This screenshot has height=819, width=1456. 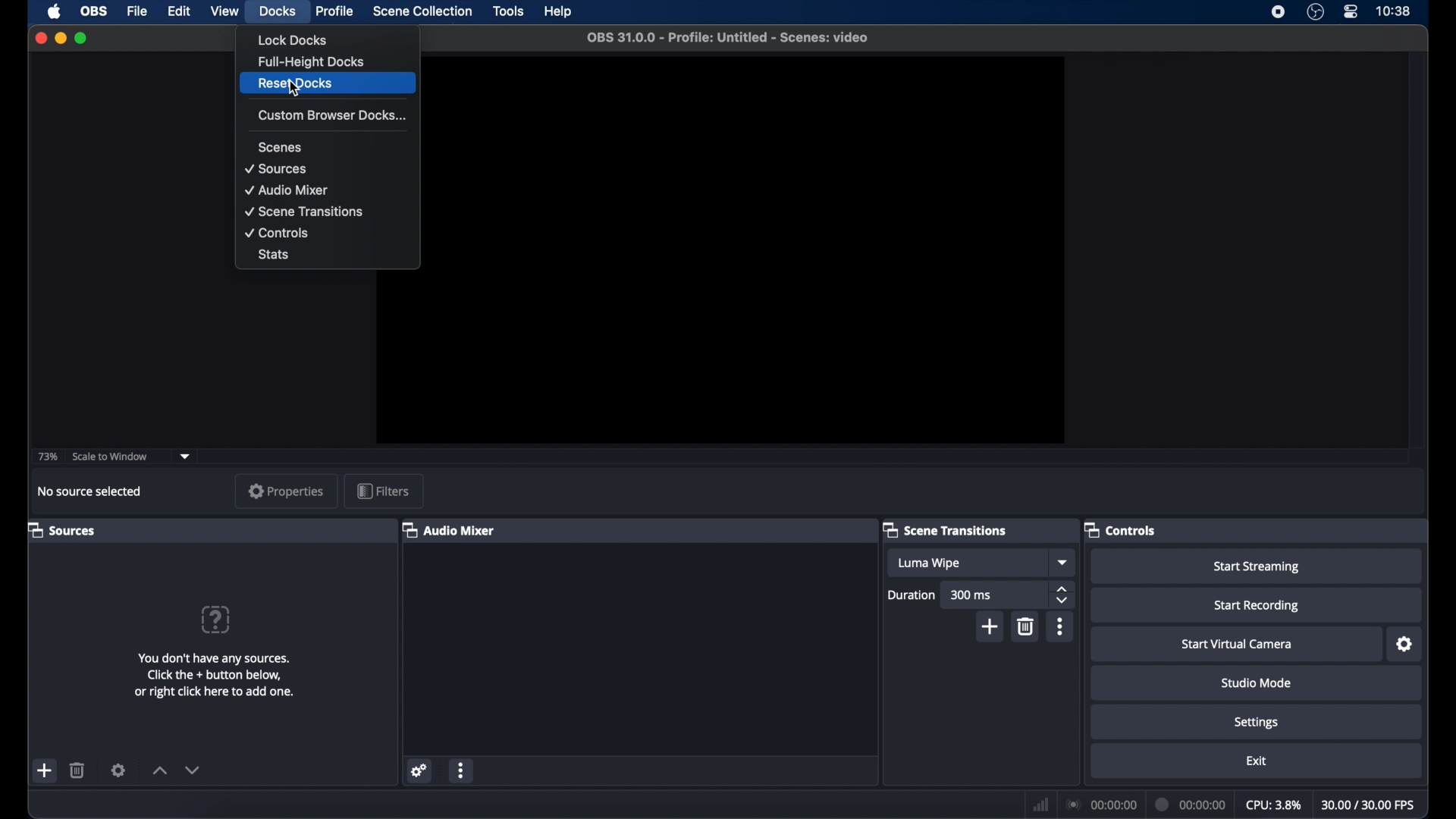 What do you see at coordinates (80, 38) in the screenshot?
I see `maximize` at bounding box center [80, 38].